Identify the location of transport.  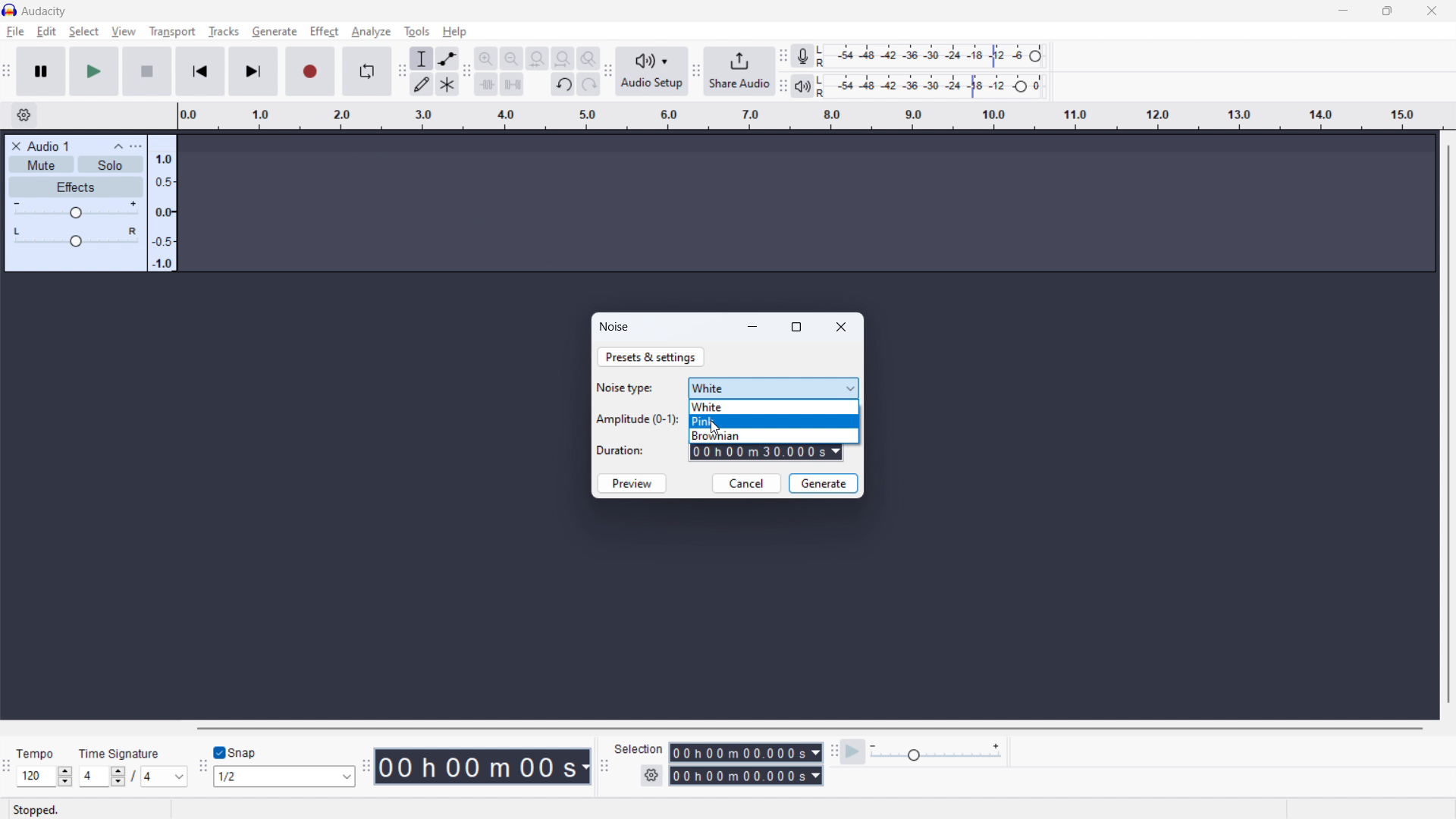
(172, 31).